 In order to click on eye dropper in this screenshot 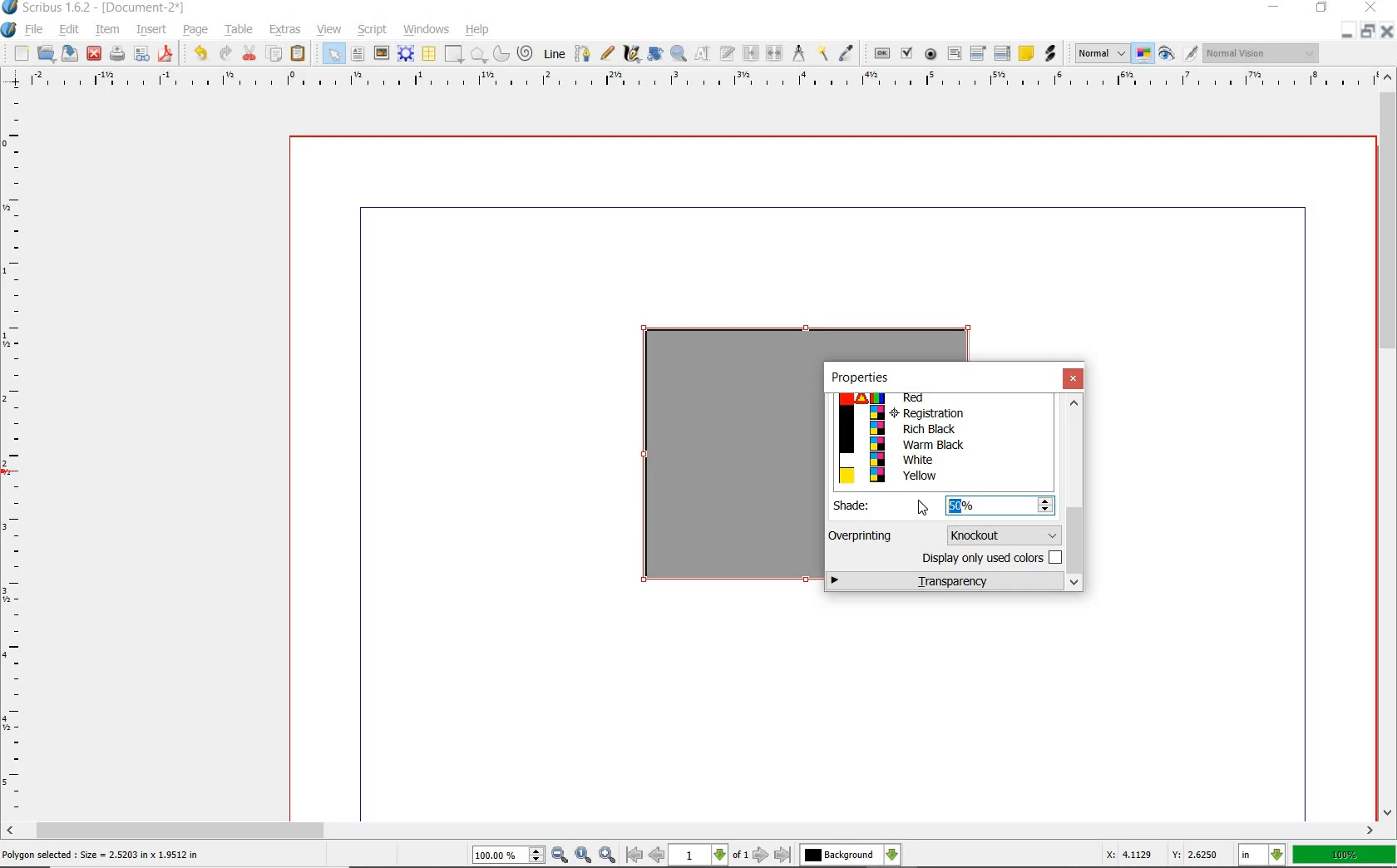, I will do `click(848, 52)`.